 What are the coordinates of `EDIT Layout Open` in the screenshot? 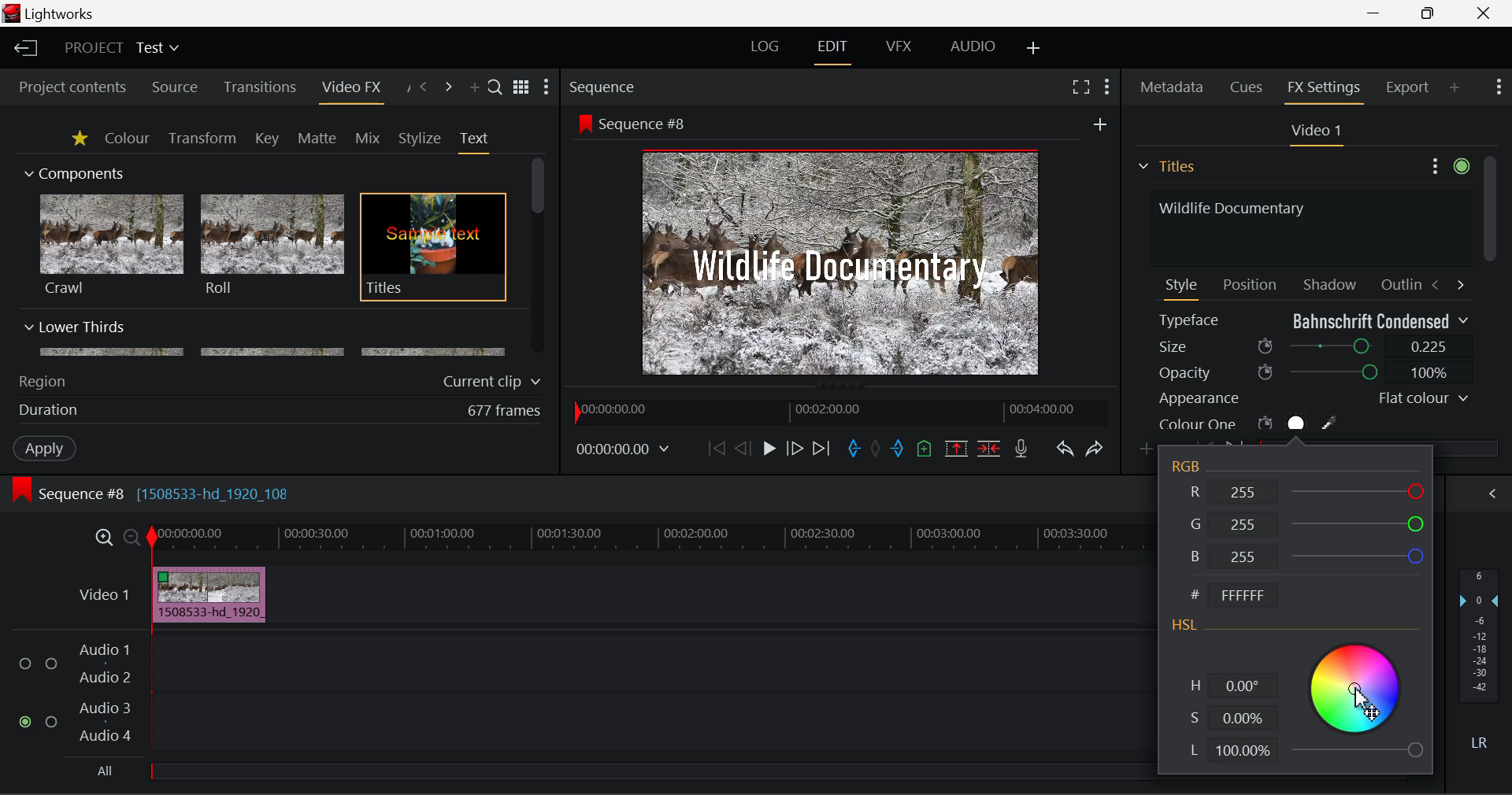 It's located at (836, 52).